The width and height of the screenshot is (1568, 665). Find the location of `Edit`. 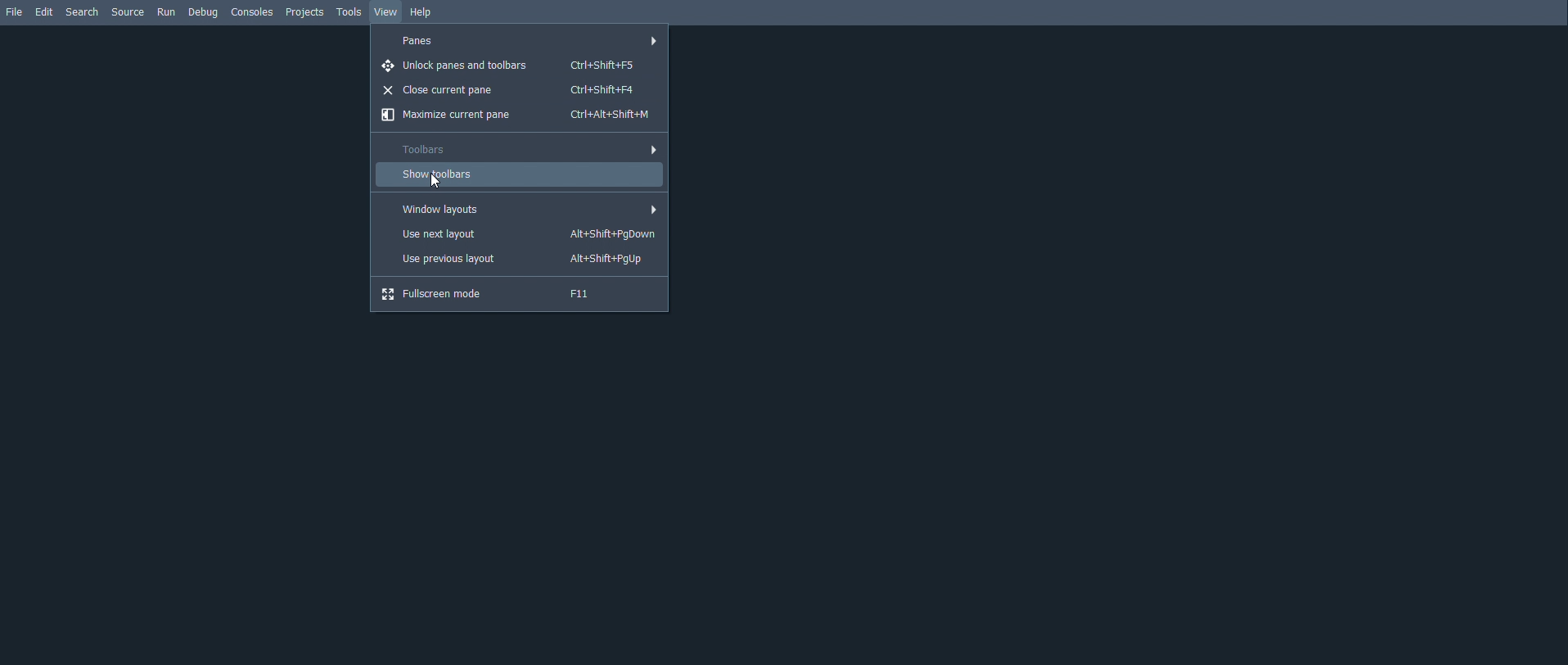

Edit is located at coordinates (43, 11).